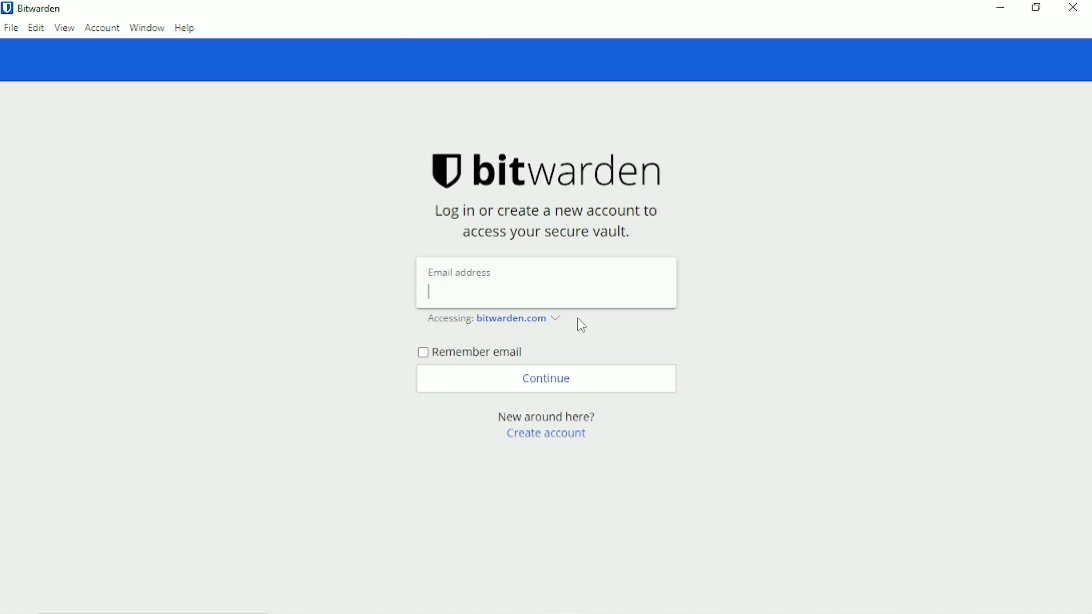 Image resolution: width=1092 pixels, height=614 pixels. Describe the element at coordinates (550, 292) in the screenshot. I see `type email address` at that location.